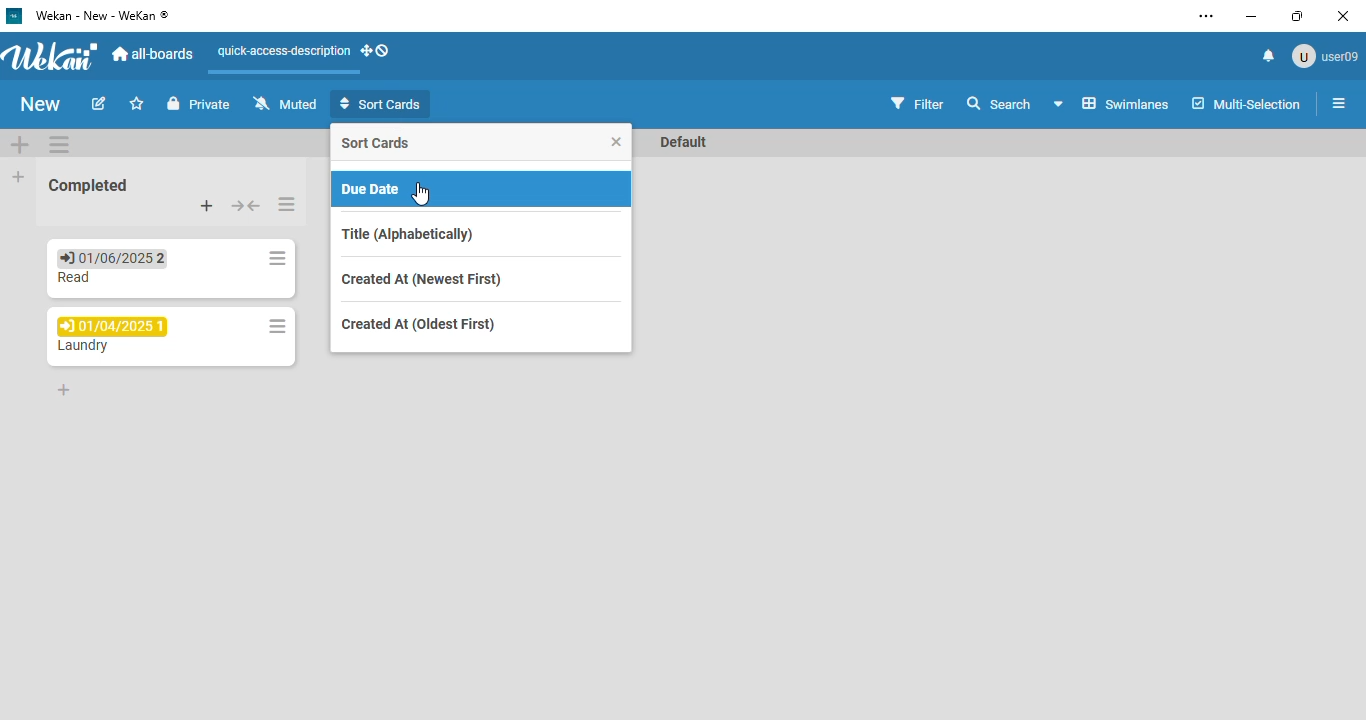 This screenshot has width=1366, height=720. What do you see at coordinates (52, 54) in the screenshot?
I see `wekan` at bounding box center [52, 54].